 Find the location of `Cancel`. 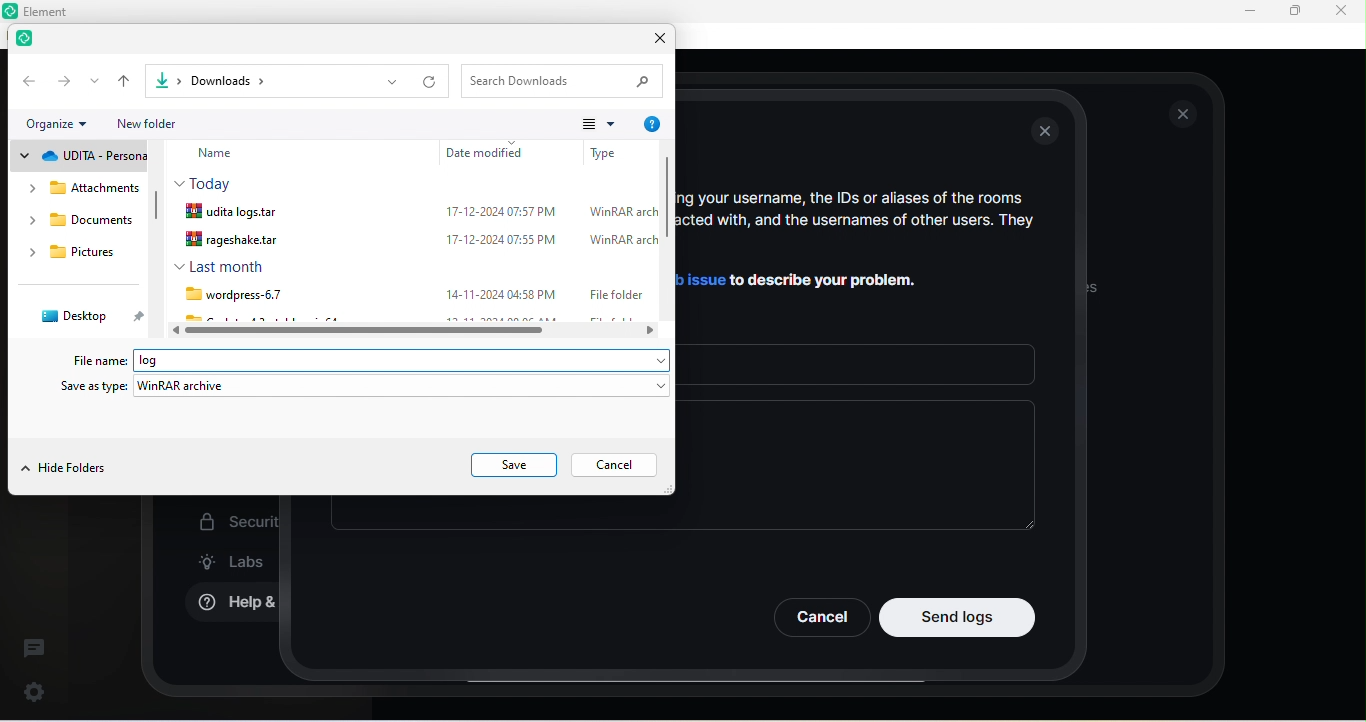

Cancel is located at coordinates (820, 617).